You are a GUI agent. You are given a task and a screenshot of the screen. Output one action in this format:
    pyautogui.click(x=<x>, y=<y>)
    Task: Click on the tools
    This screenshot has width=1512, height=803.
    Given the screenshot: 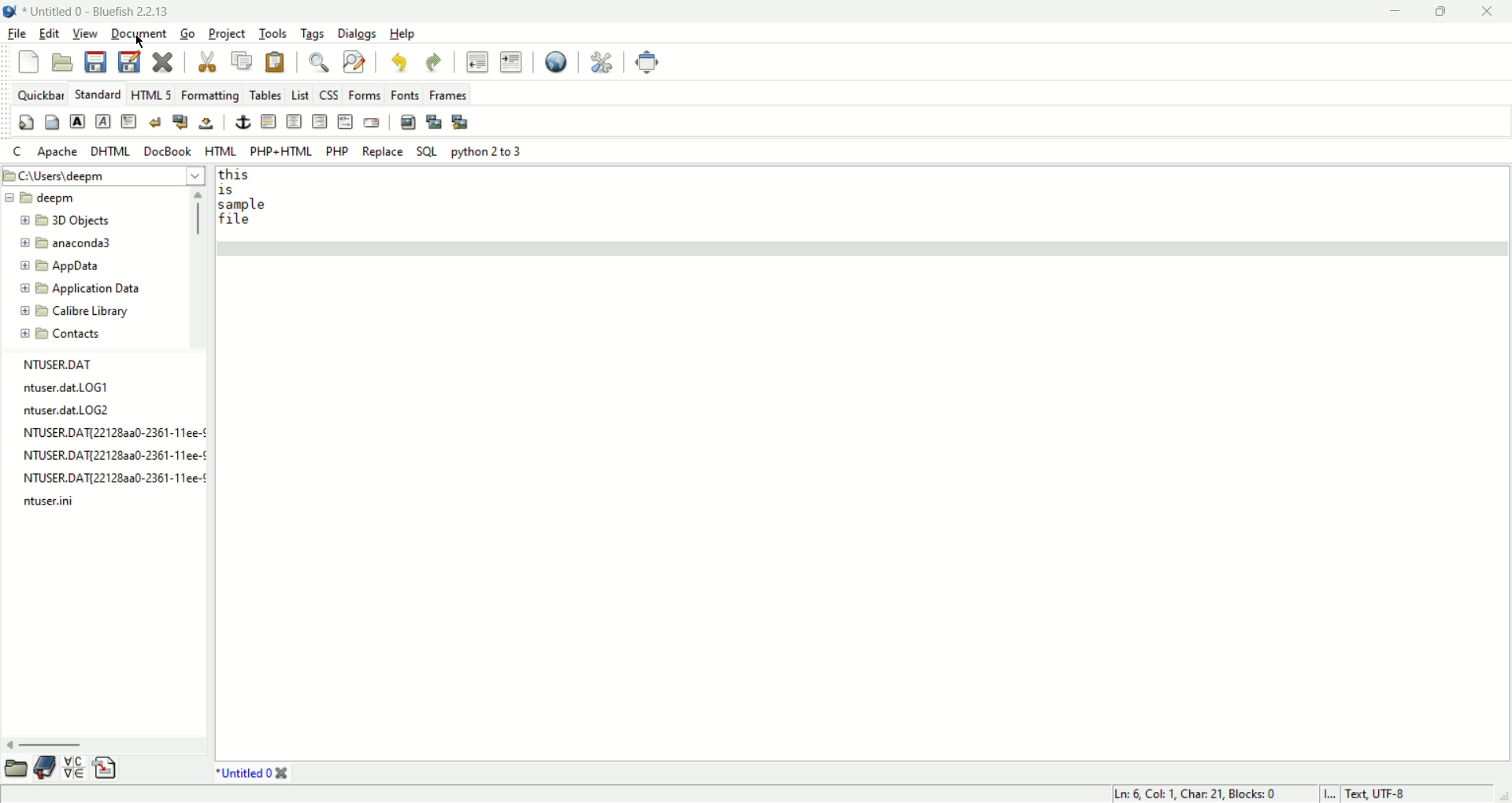 What is the action you would take?
    pyautogui.click(x=274, y=32)
    